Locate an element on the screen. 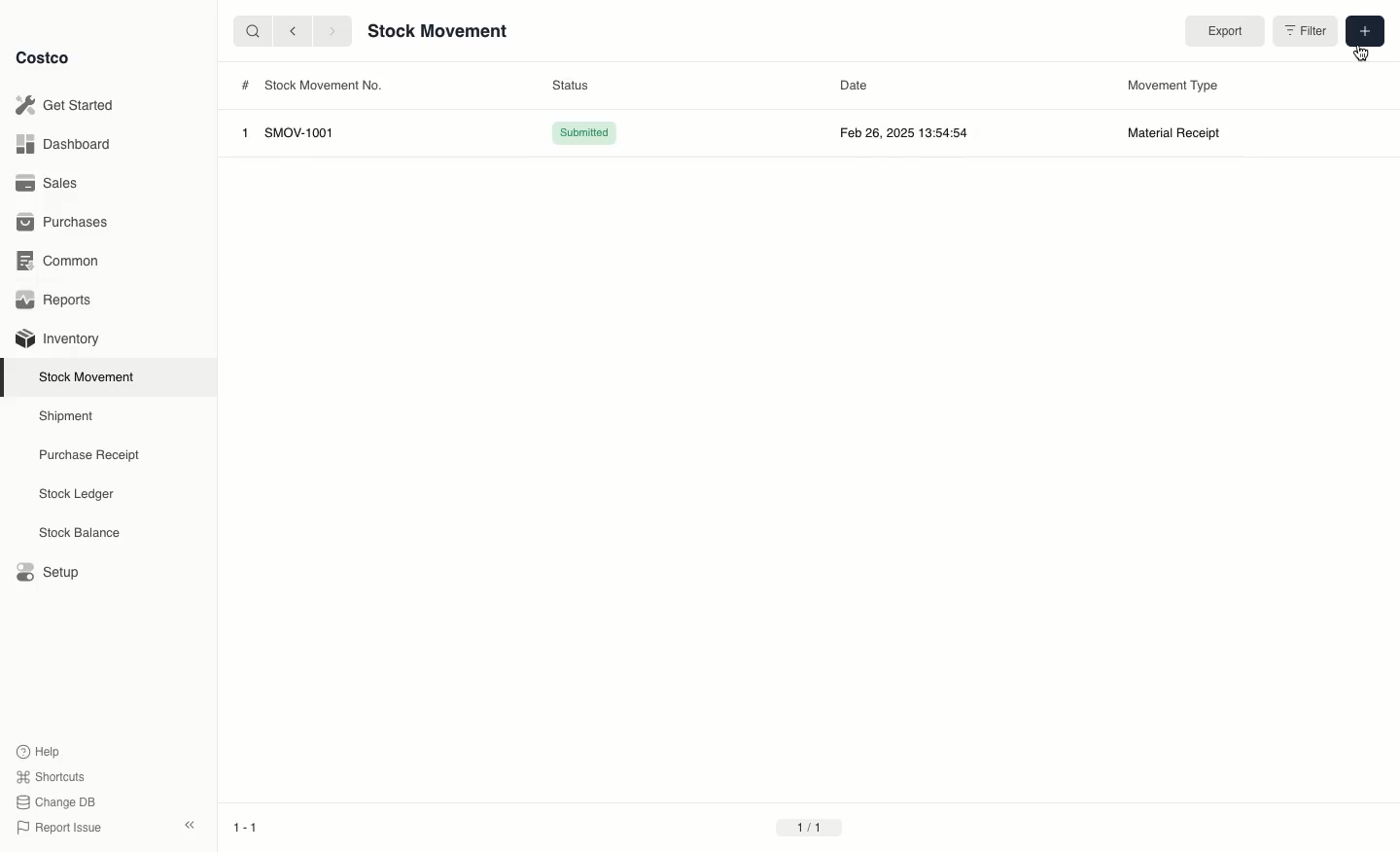 The height and width of the screenshot is (852, 1400). Sales is located at coordinates (50, 182).